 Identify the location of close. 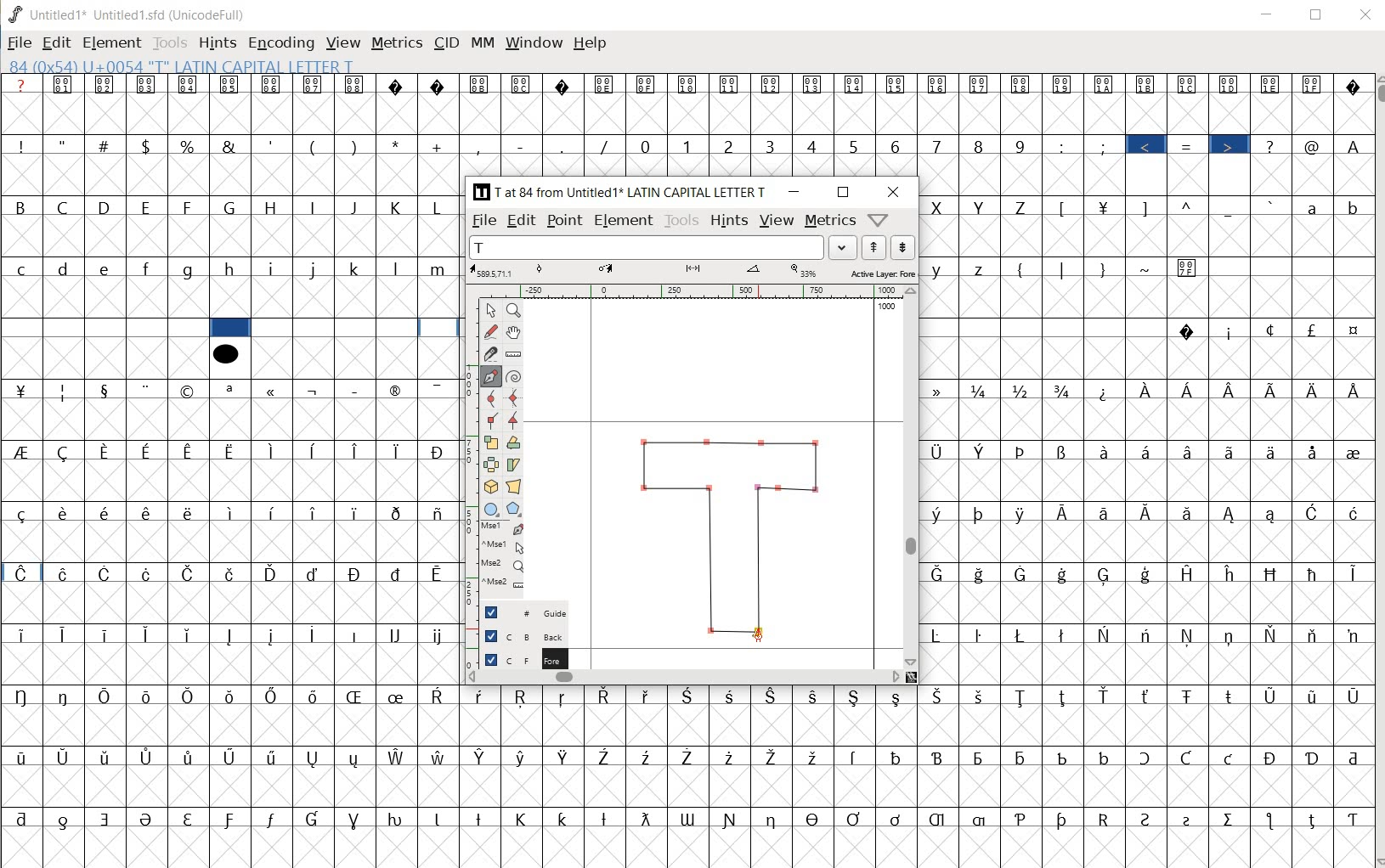
(1367, 15).